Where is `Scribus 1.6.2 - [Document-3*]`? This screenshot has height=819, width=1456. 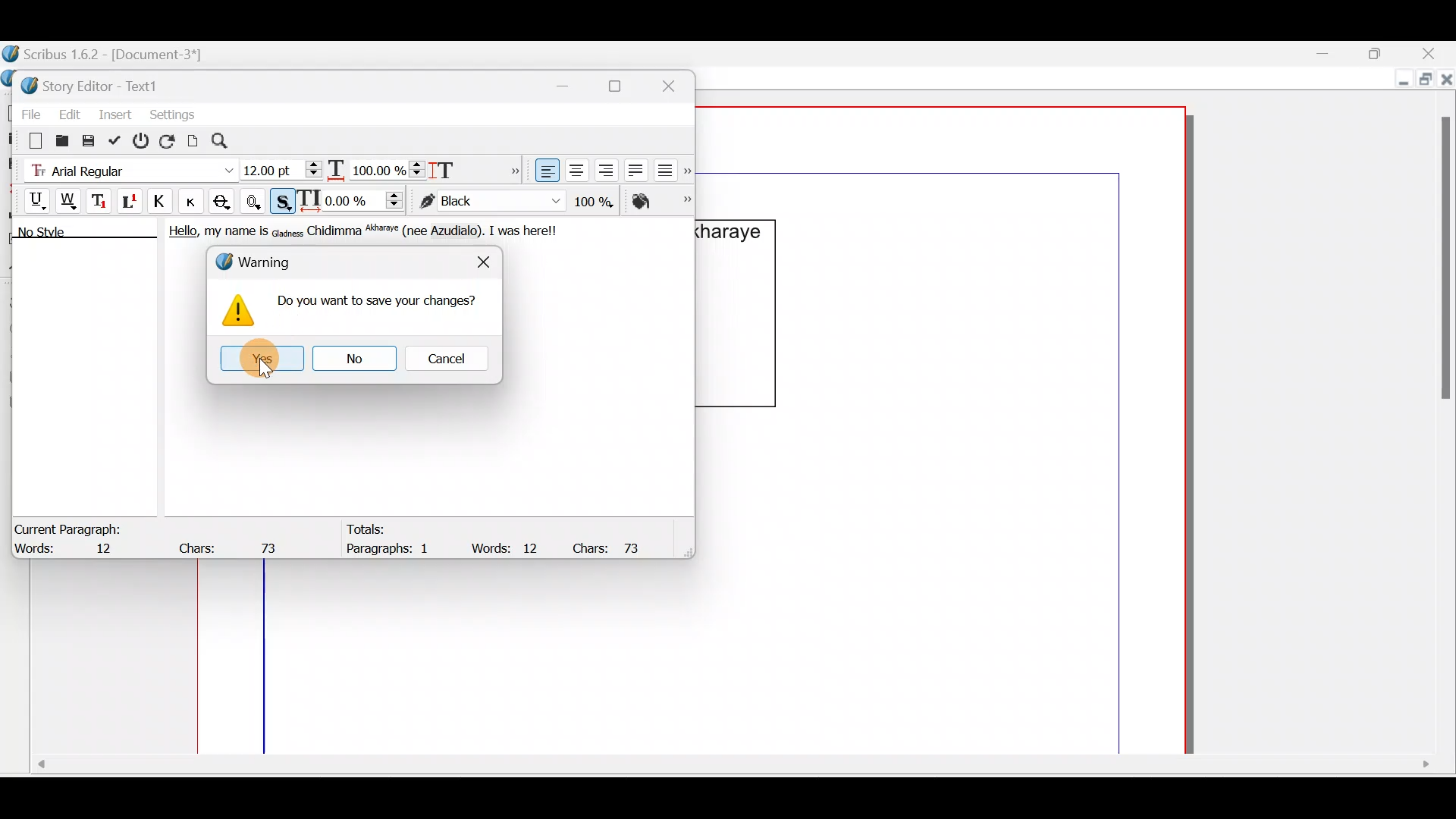
Scribus 1.6.2 - [Document-3*] is located at coordinates (120, 55).